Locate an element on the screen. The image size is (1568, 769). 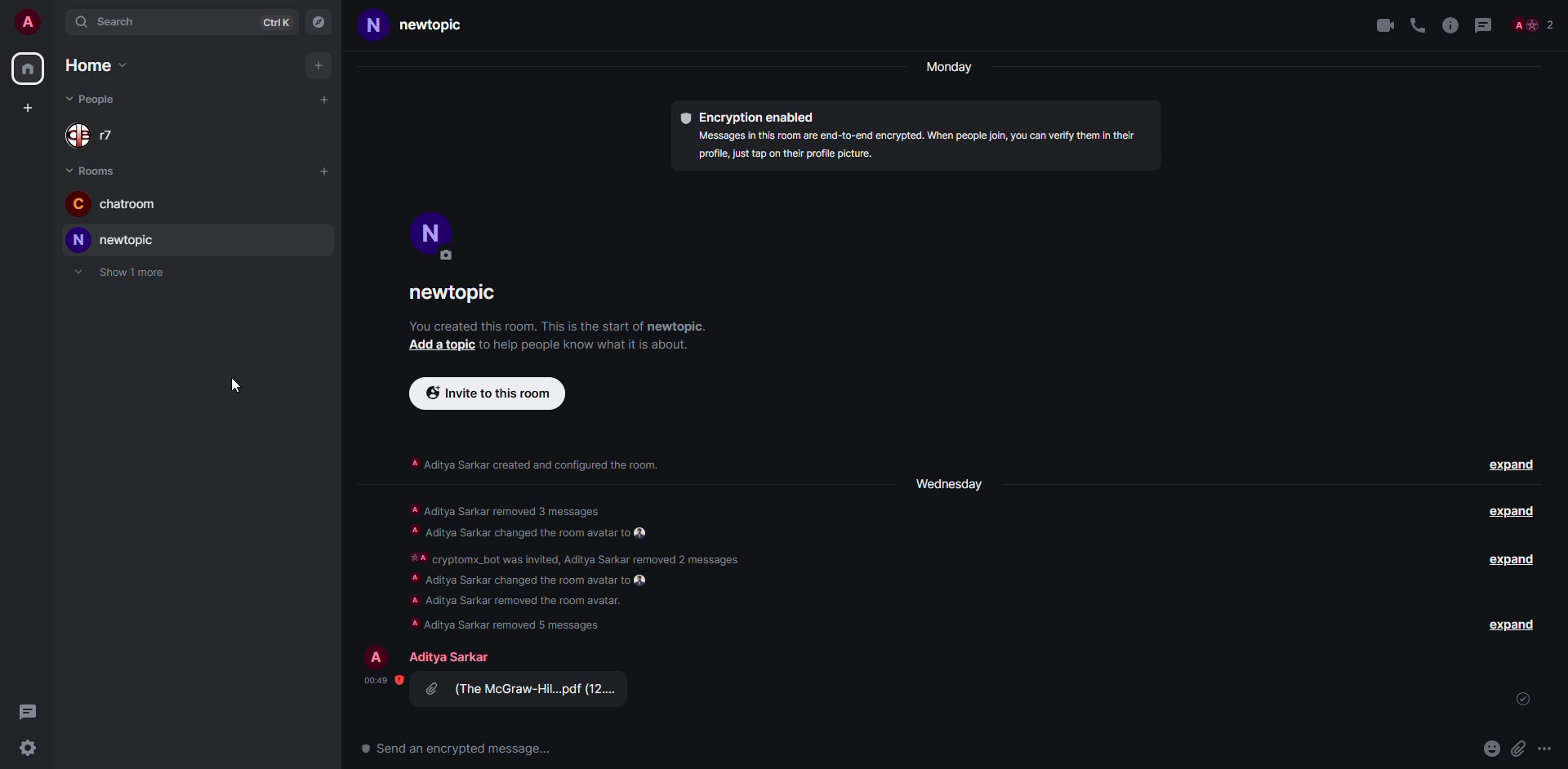
attach is located at coordinates (1521, 749).